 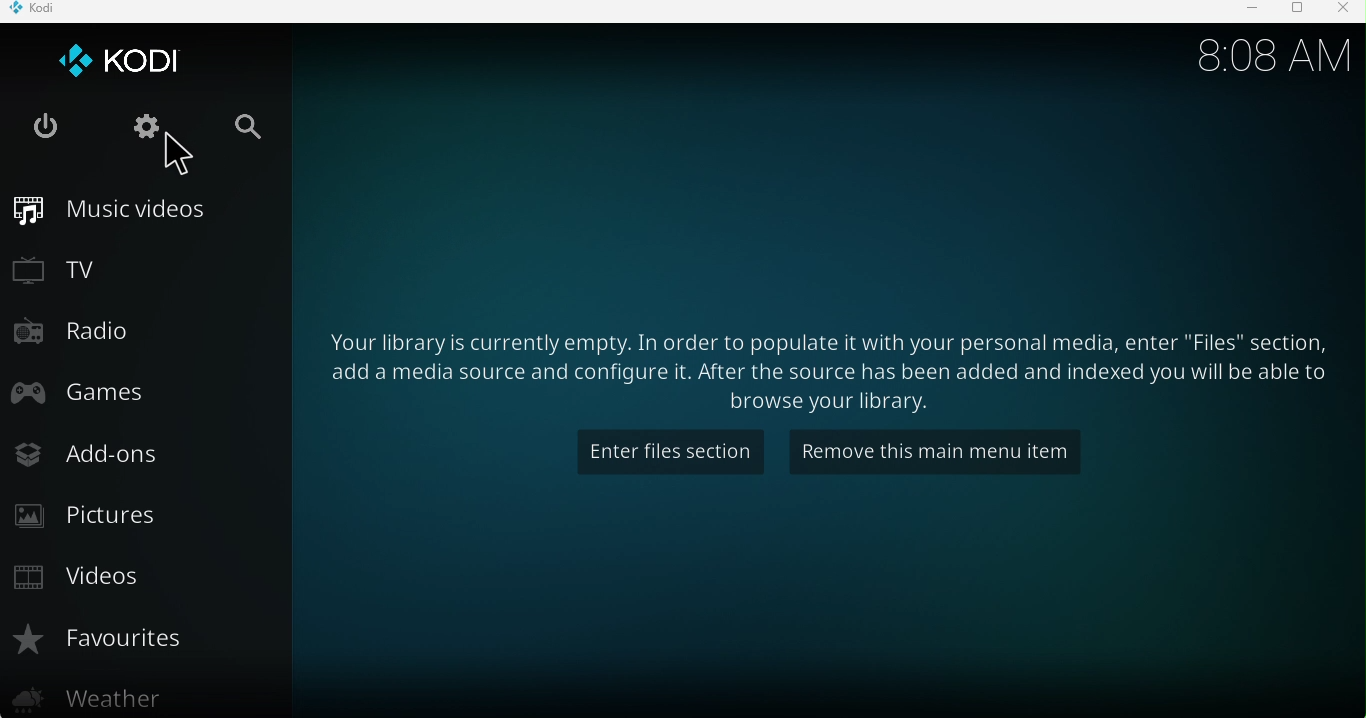 What do you see at coordinates (115, 517) in the screenshot?
I see `Pictures` at bounding box center [115, 517].